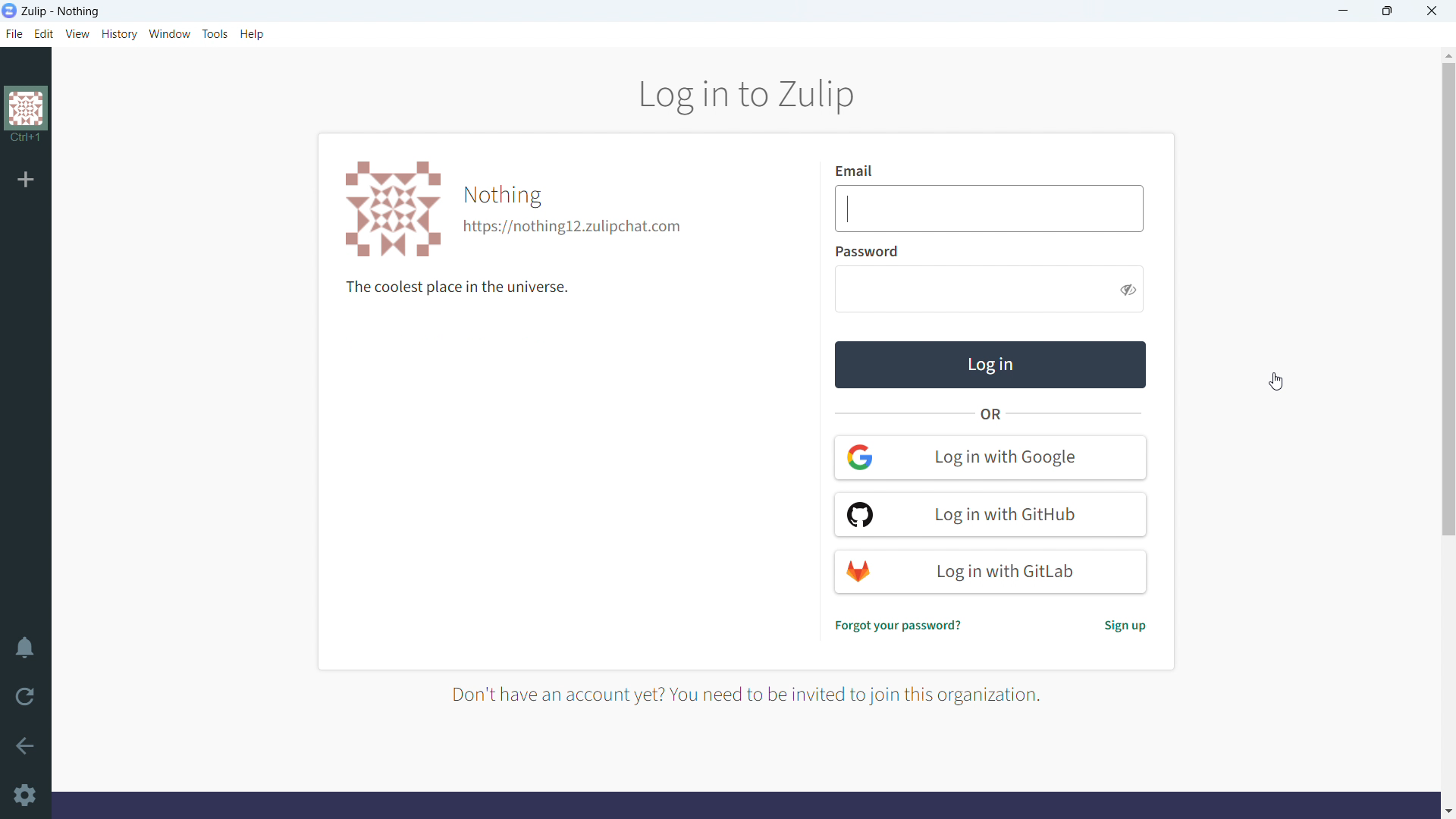 The width and height of the screenshot is (1456, 819). What do you see at coordinates (13, 33) in the screenshot?
I see `file` at bounding box center [13, 33].